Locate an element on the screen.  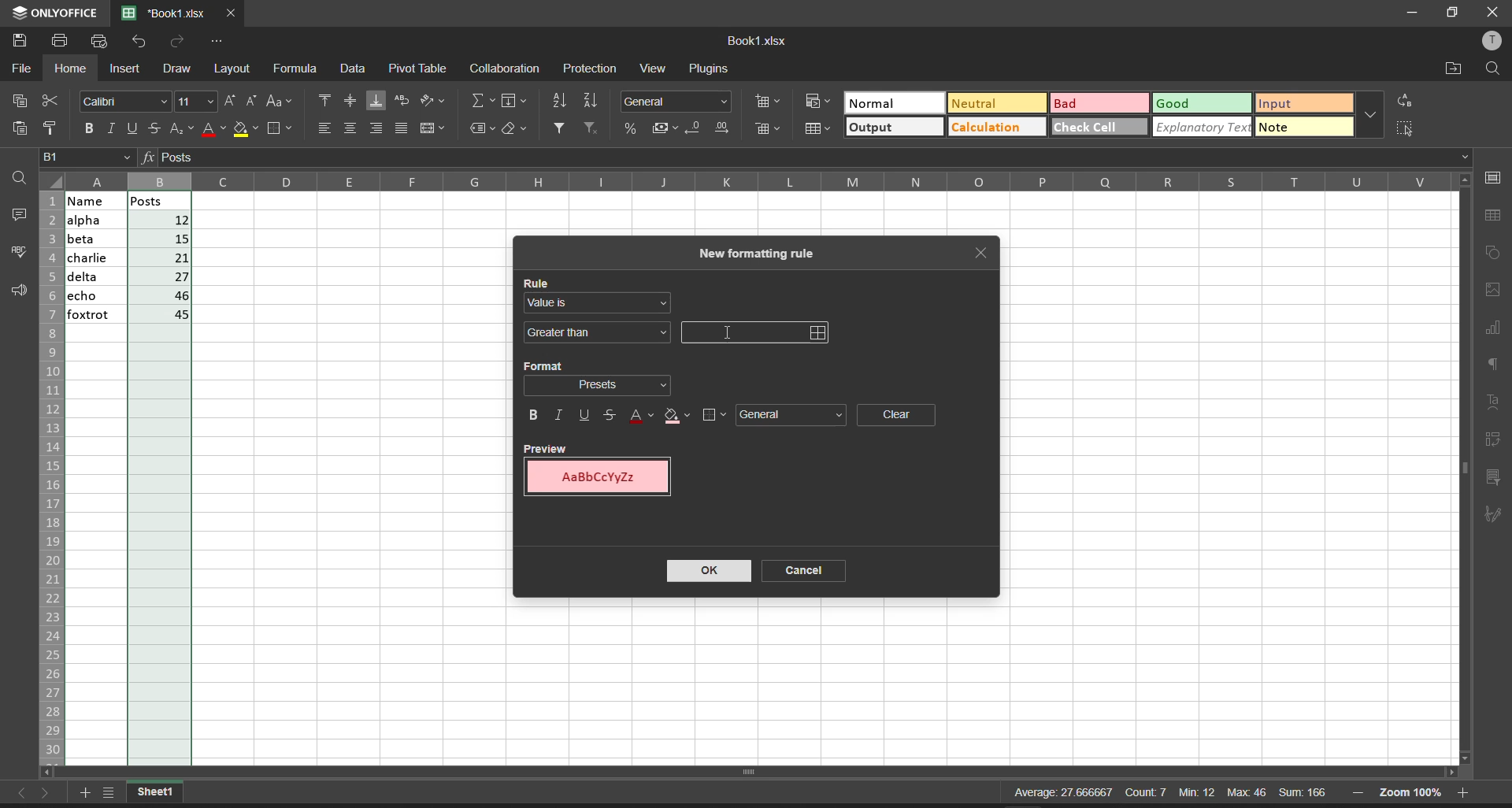
font size is located at coordinates (195, 101).